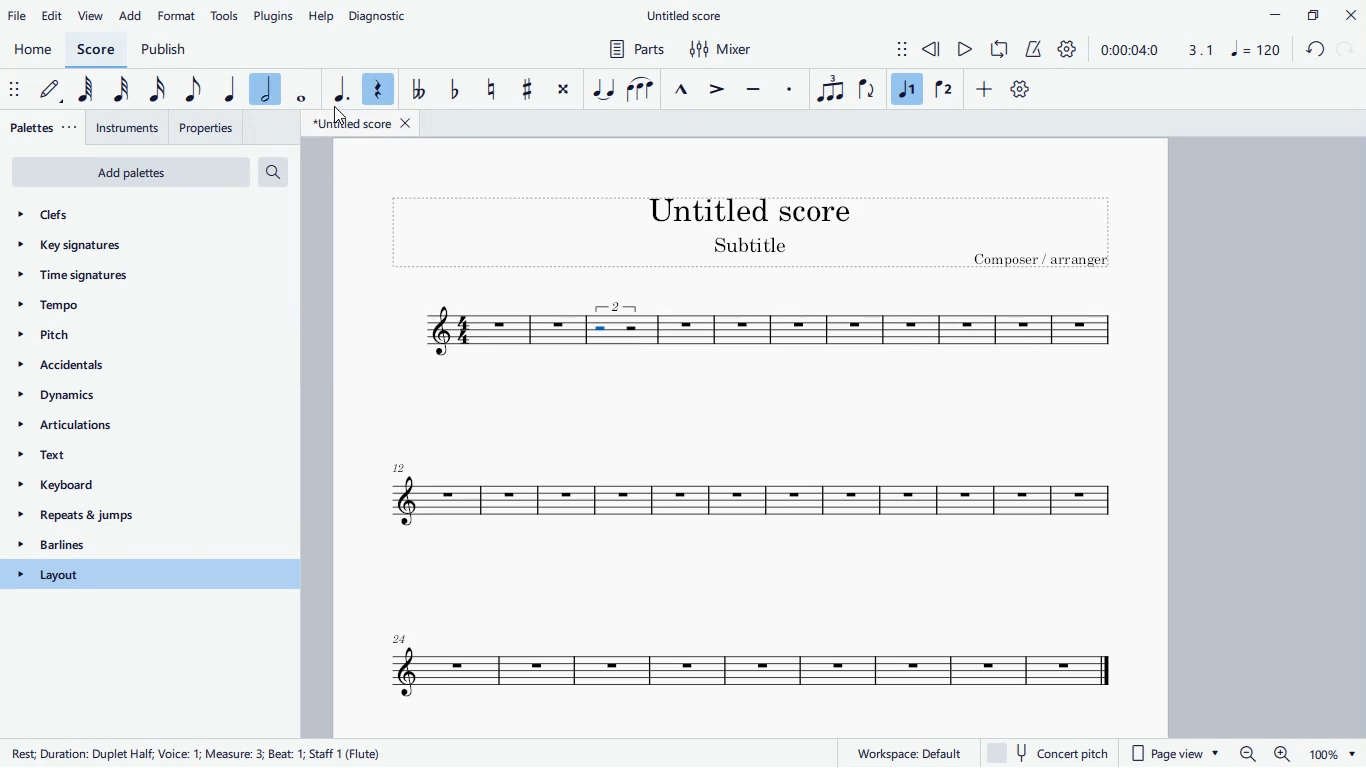 This screenshot has height=768, width=1366. I want to click on quarter note, so click(228, 87).